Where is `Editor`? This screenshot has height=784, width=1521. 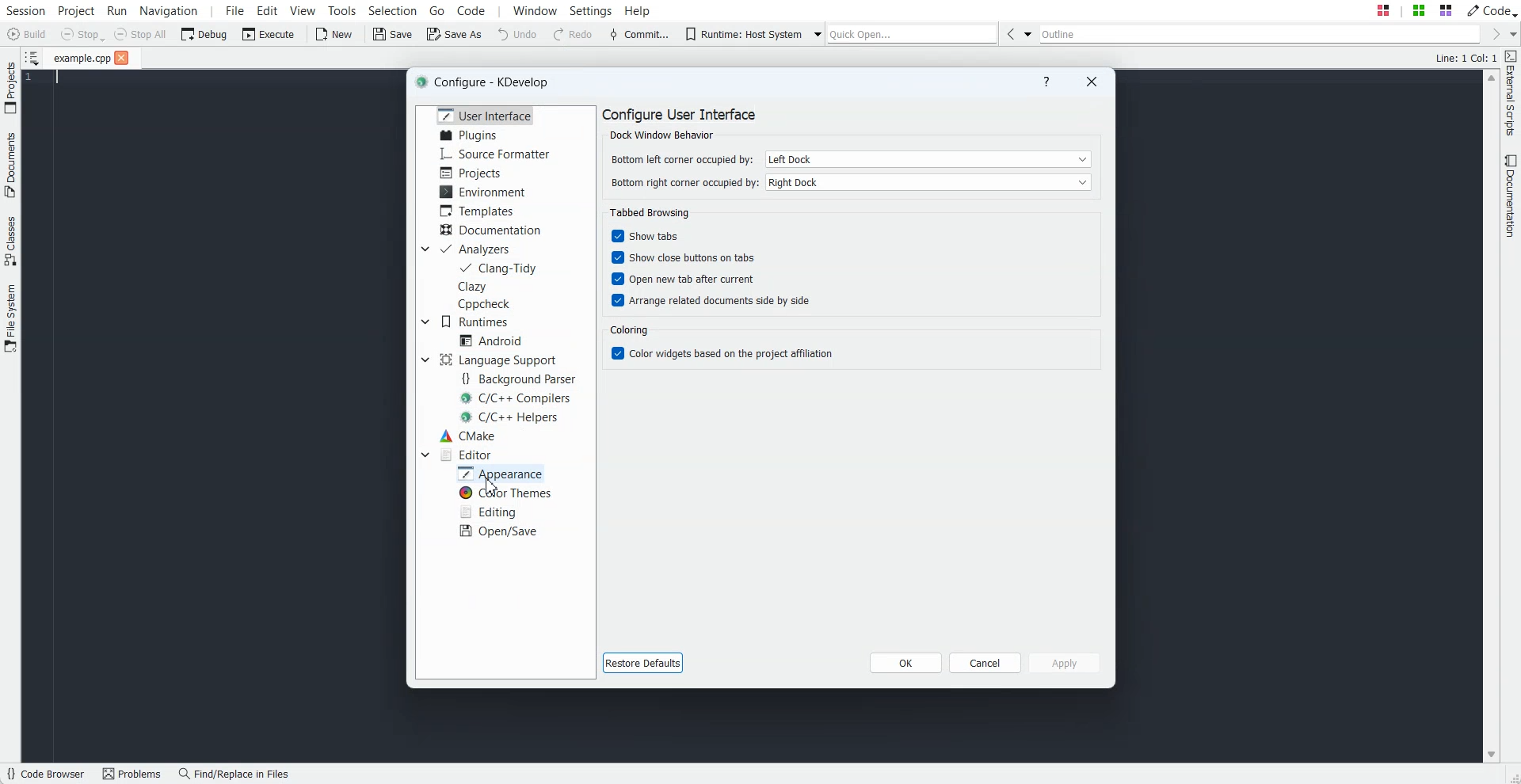
Editor is located at coordinates (467, 454).